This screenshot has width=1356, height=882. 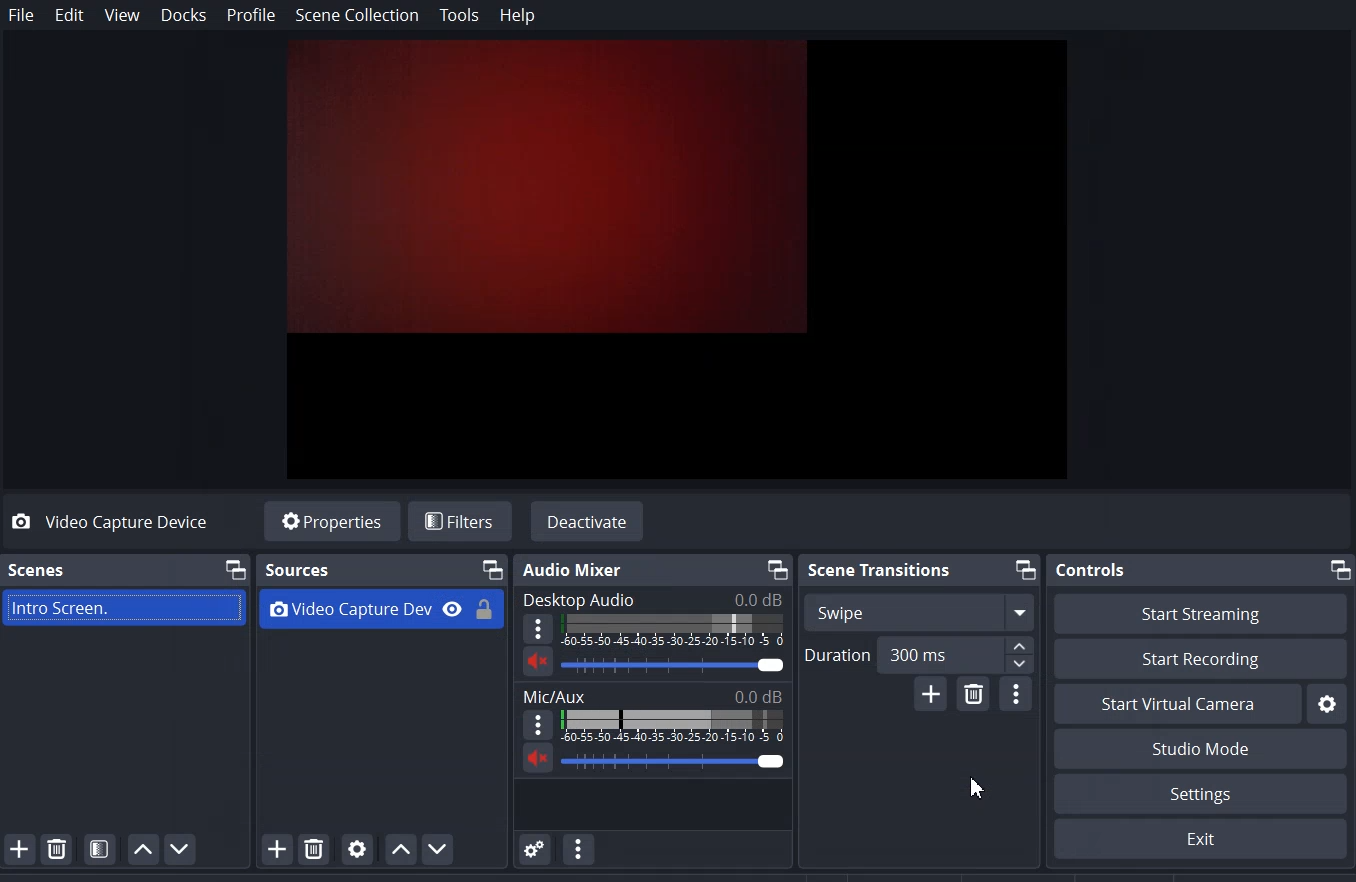 What do you see at coordinates (1201, 794) in the screenshot?
I see `Settings` at bounding box center [1201, 794].